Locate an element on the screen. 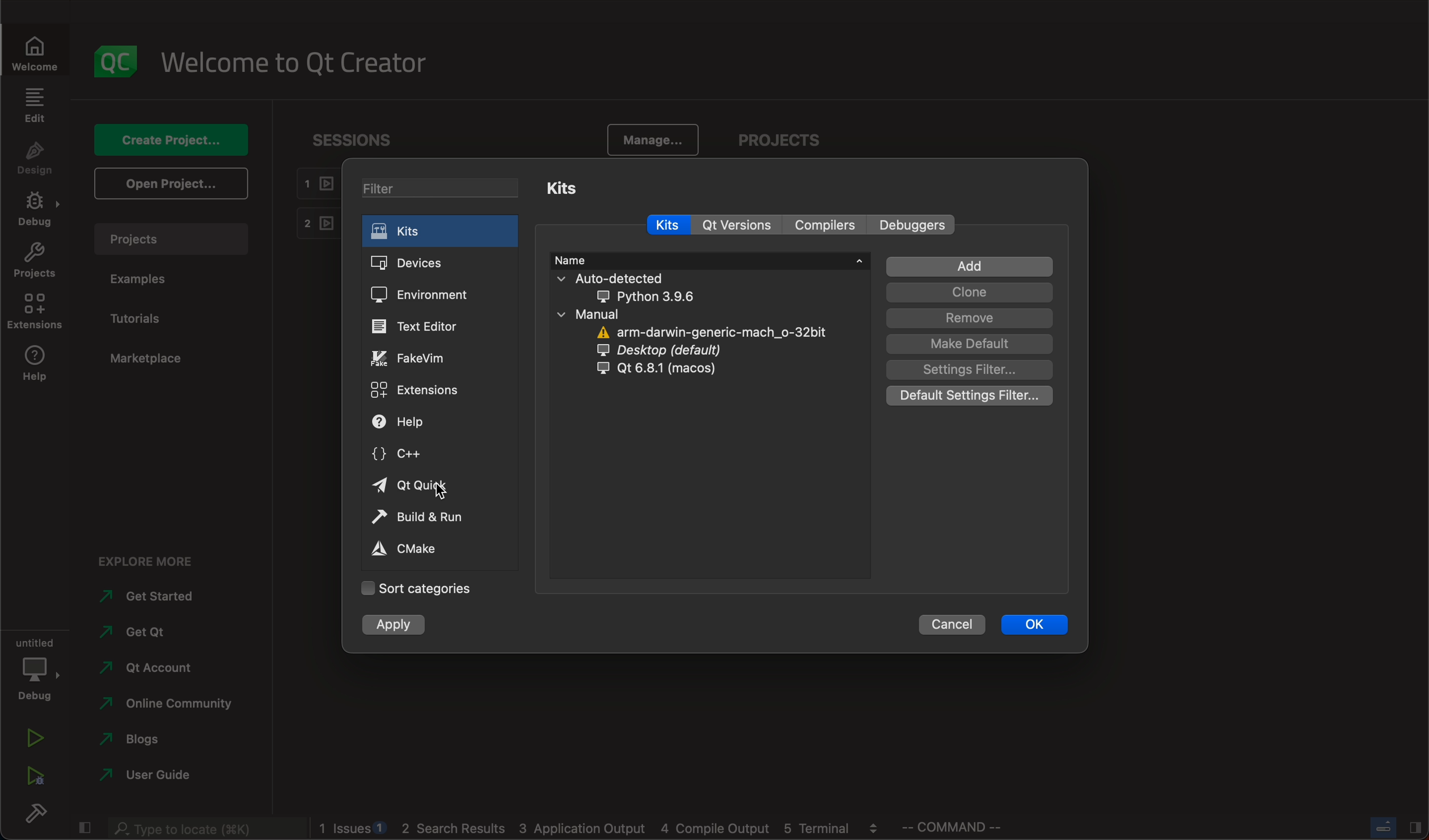 The width and height of the screenshot is (1429, 840). kits is located at coordinates (563, 188).